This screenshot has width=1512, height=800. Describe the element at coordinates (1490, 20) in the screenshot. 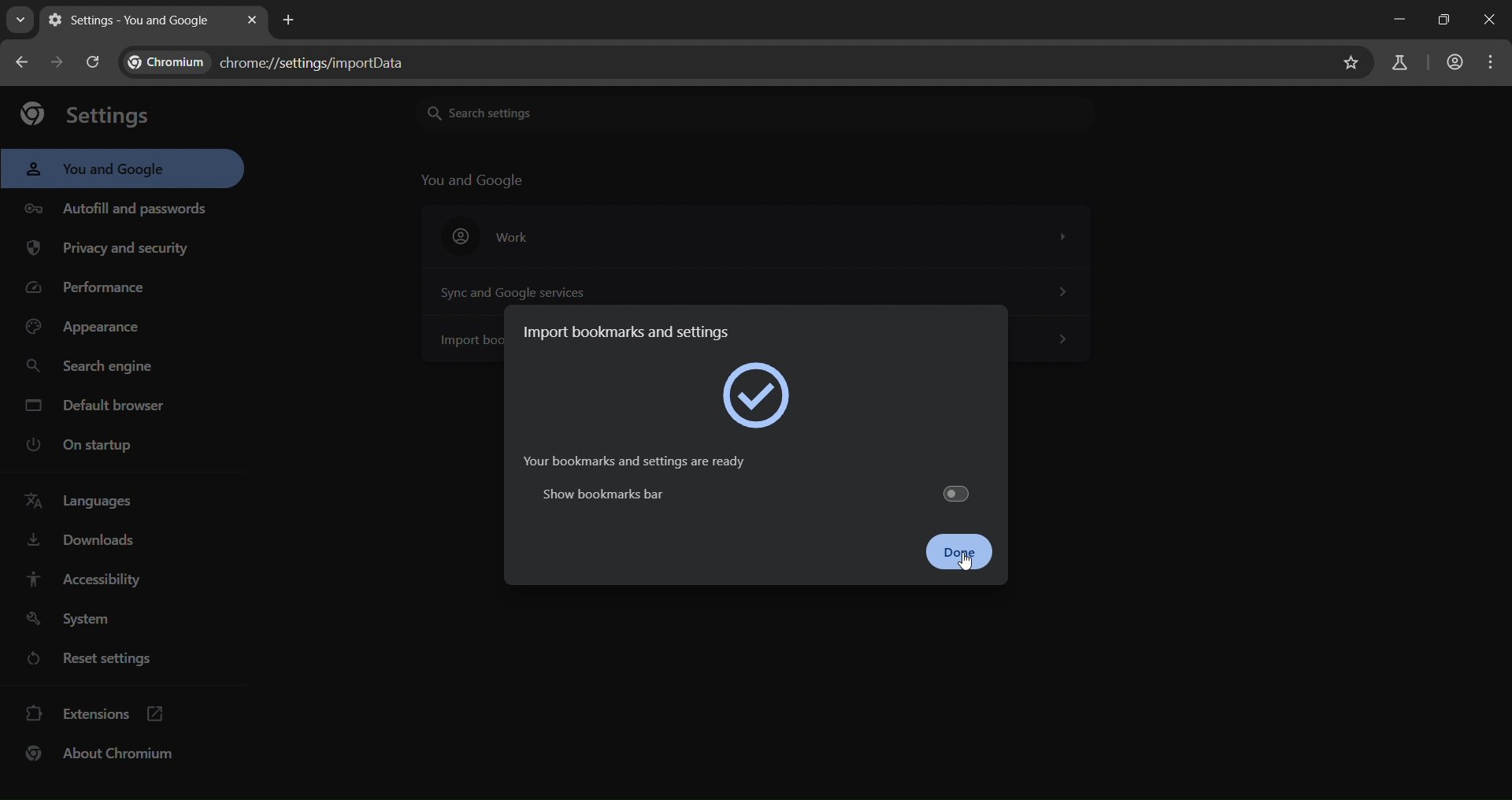

I see `close` at that location.